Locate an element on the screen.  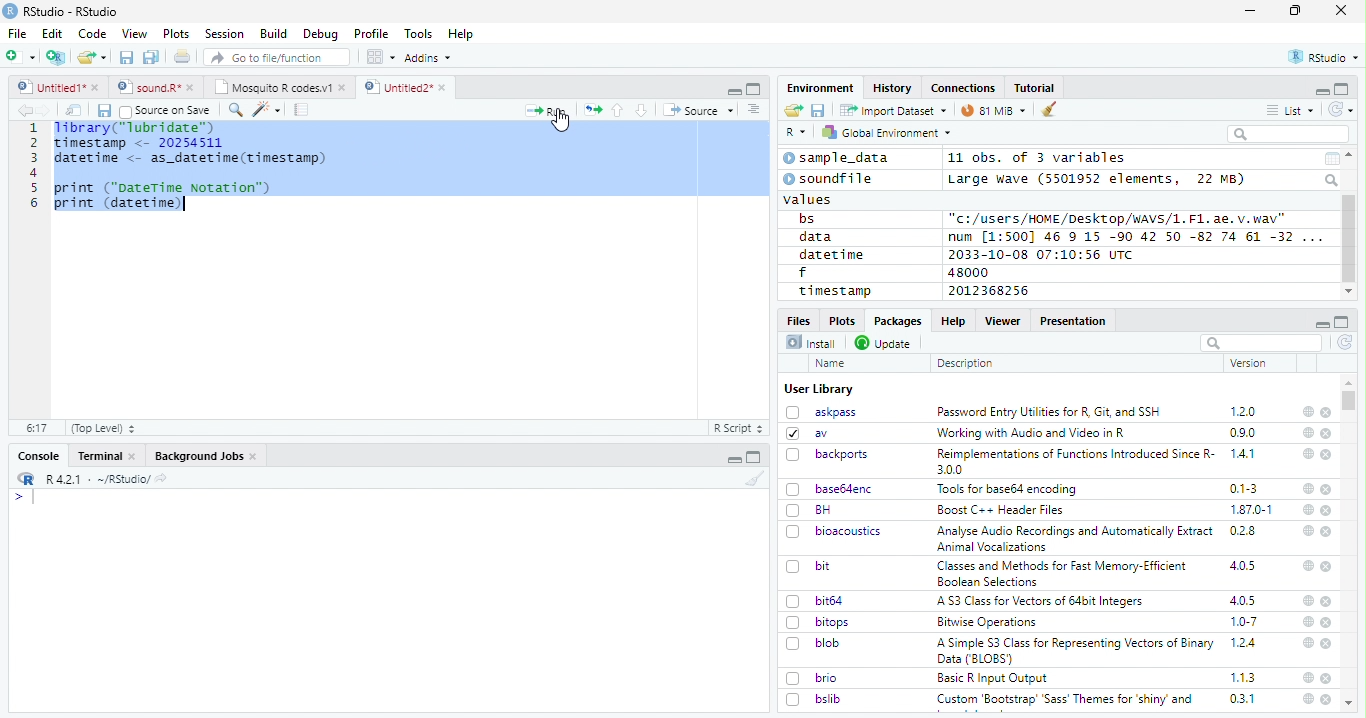
close is located at coordinates (1328, 644).